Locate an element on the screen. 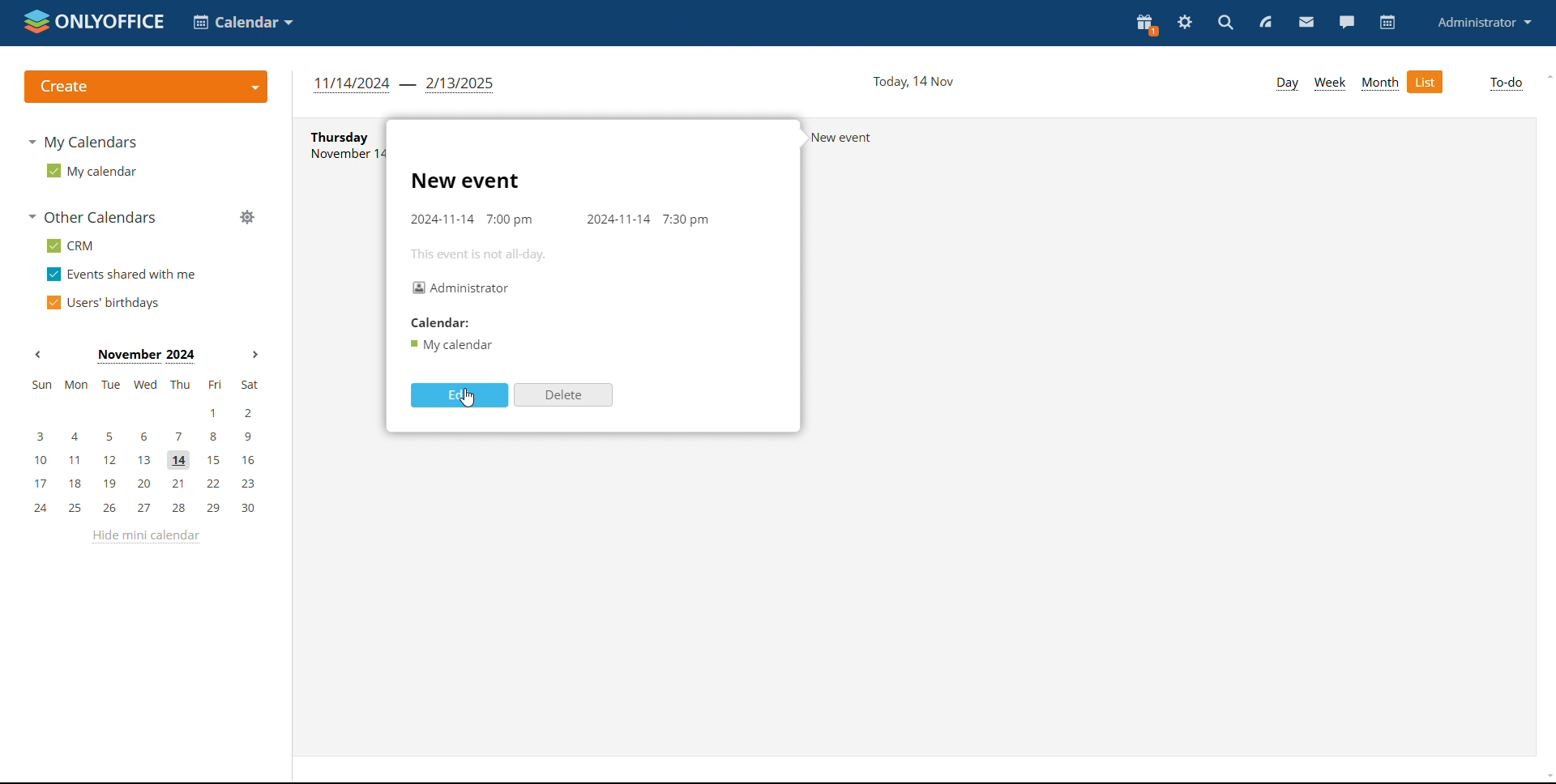 This screenshot has width=1556, height=784. scroll up is located at coordinates (1546, 77).